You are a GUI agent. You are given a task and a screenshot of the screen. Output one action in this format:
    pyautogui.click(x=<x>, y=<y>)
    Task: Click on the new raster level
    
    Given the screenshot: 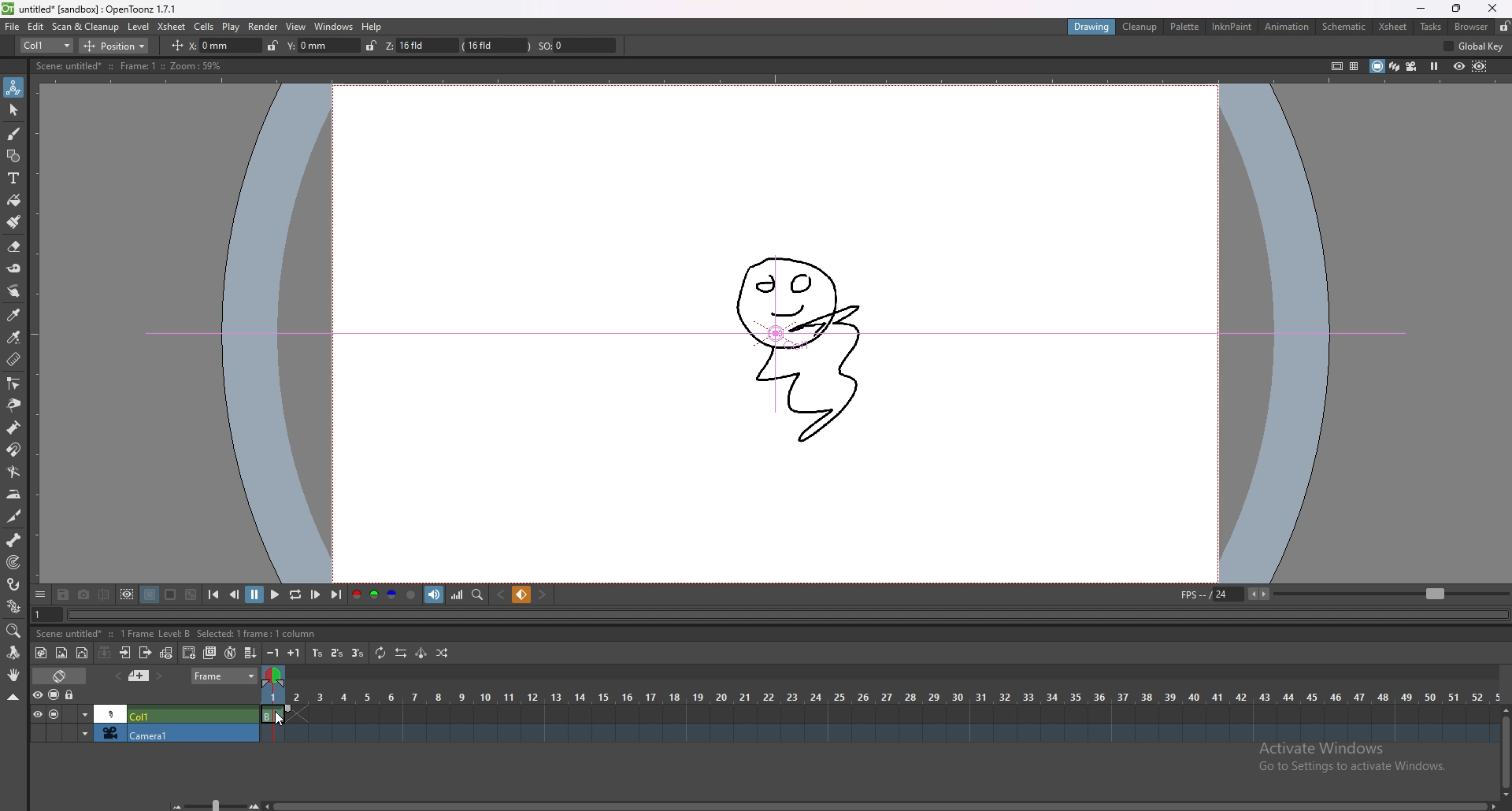 What is the action you would take?
    pyautogui.click(x=61, y=654)
    